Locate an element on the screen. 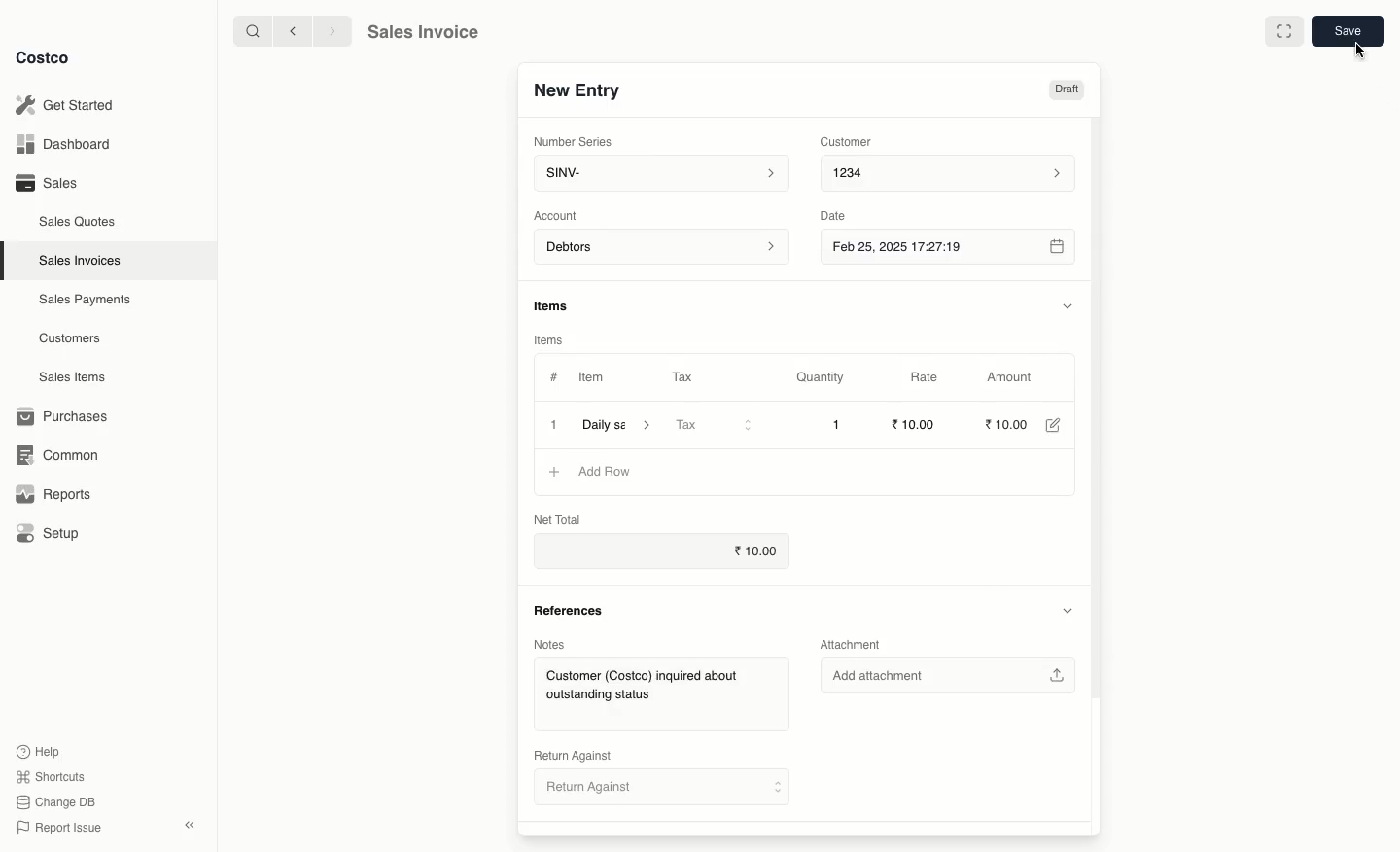  1 is located at coordinates (554, 424).